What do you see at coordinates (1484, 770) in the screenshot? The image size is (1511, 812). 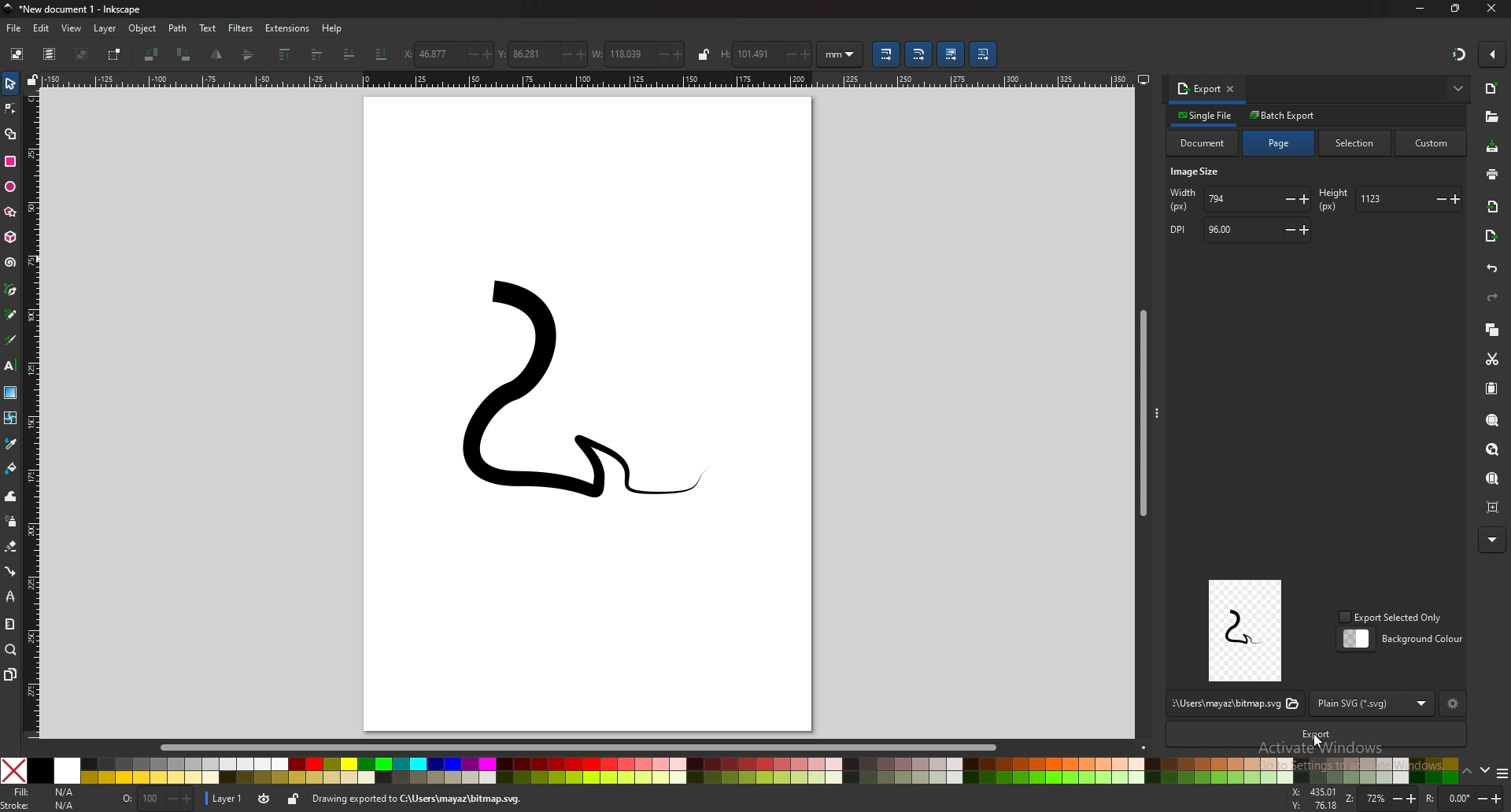 I see `down` at bounding box center [1484, 770].